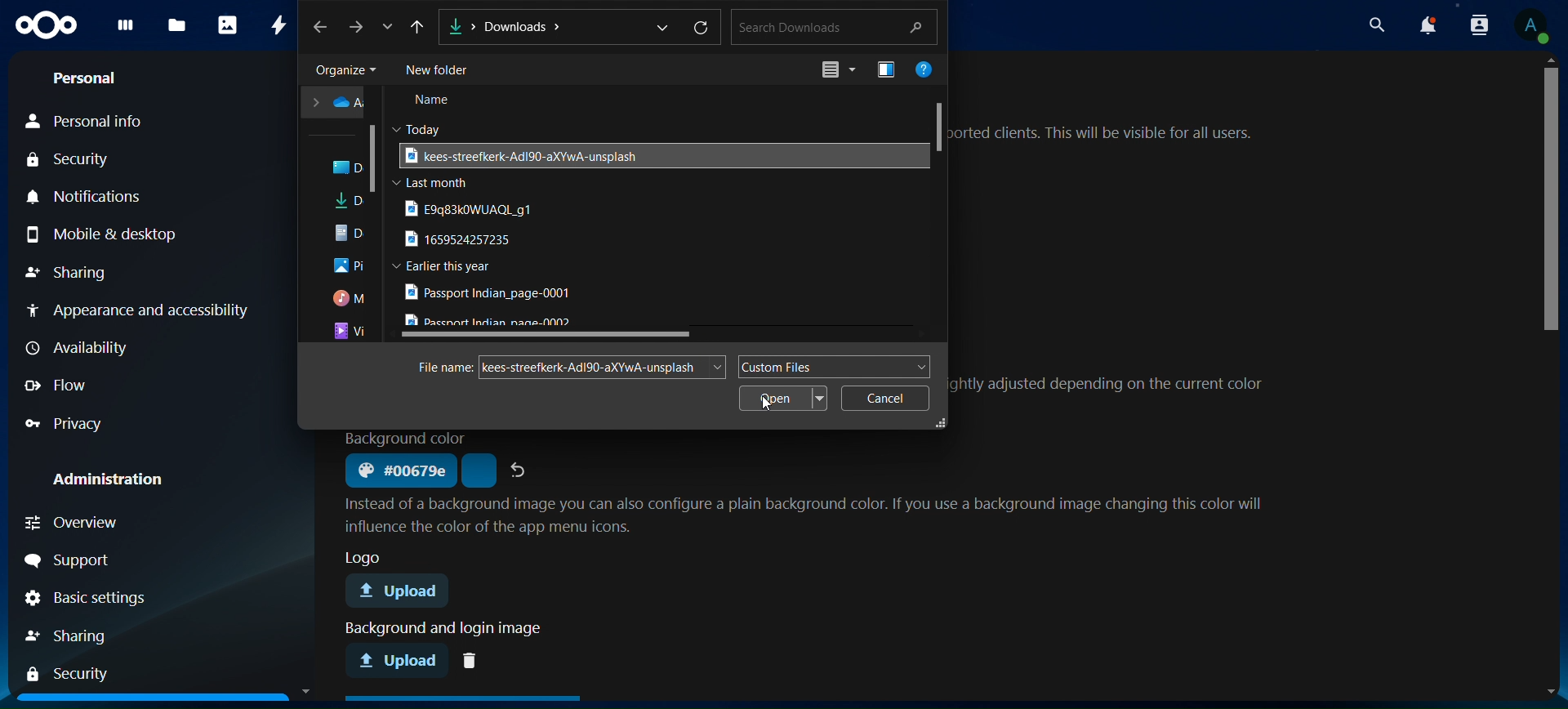 The image size is (1568, 709). Describe the element at coordinates (227, 25) in the screenshot. I see `photos` at that location.